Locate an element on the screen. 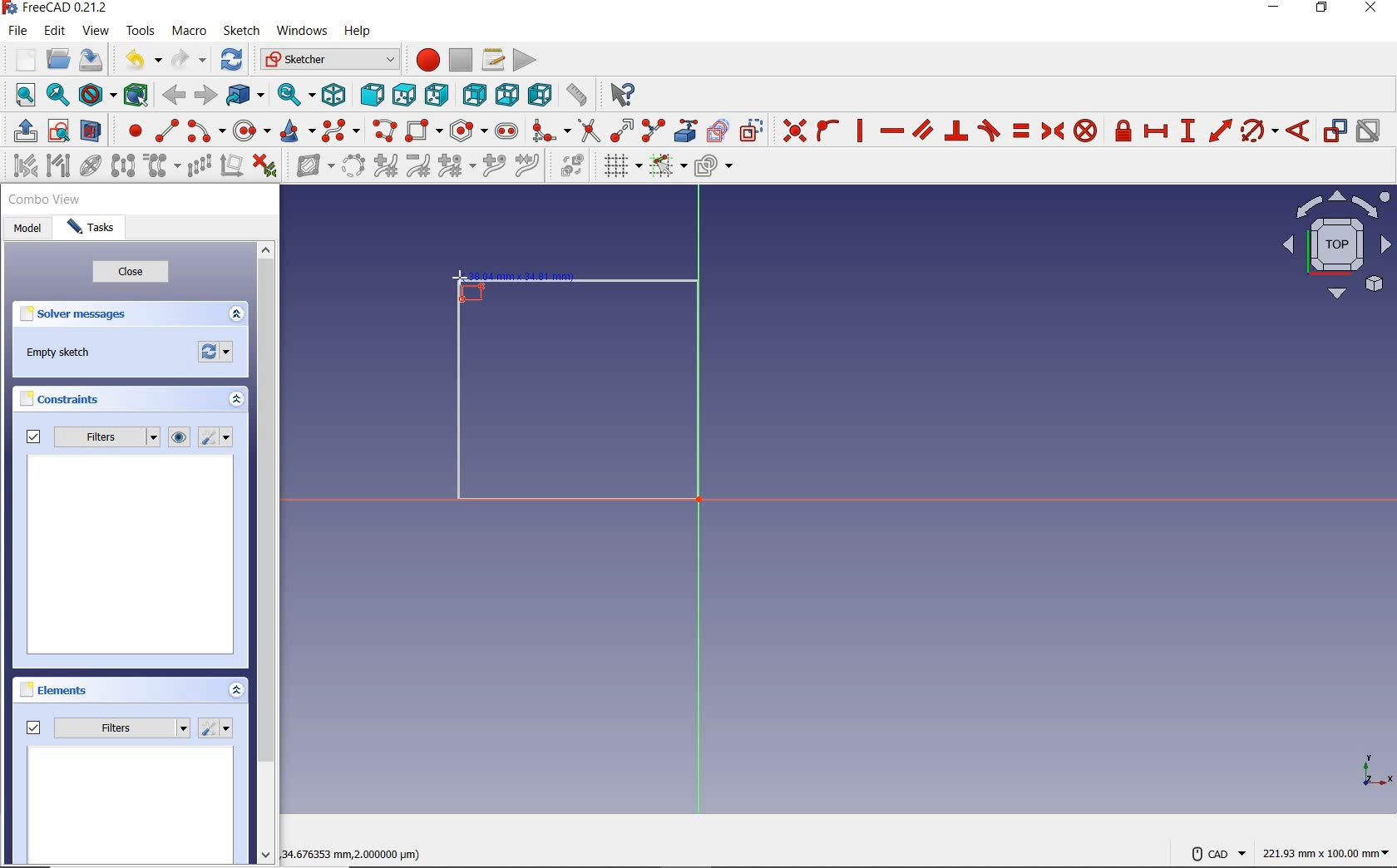  bounding box is located at coordinates (135, 94).